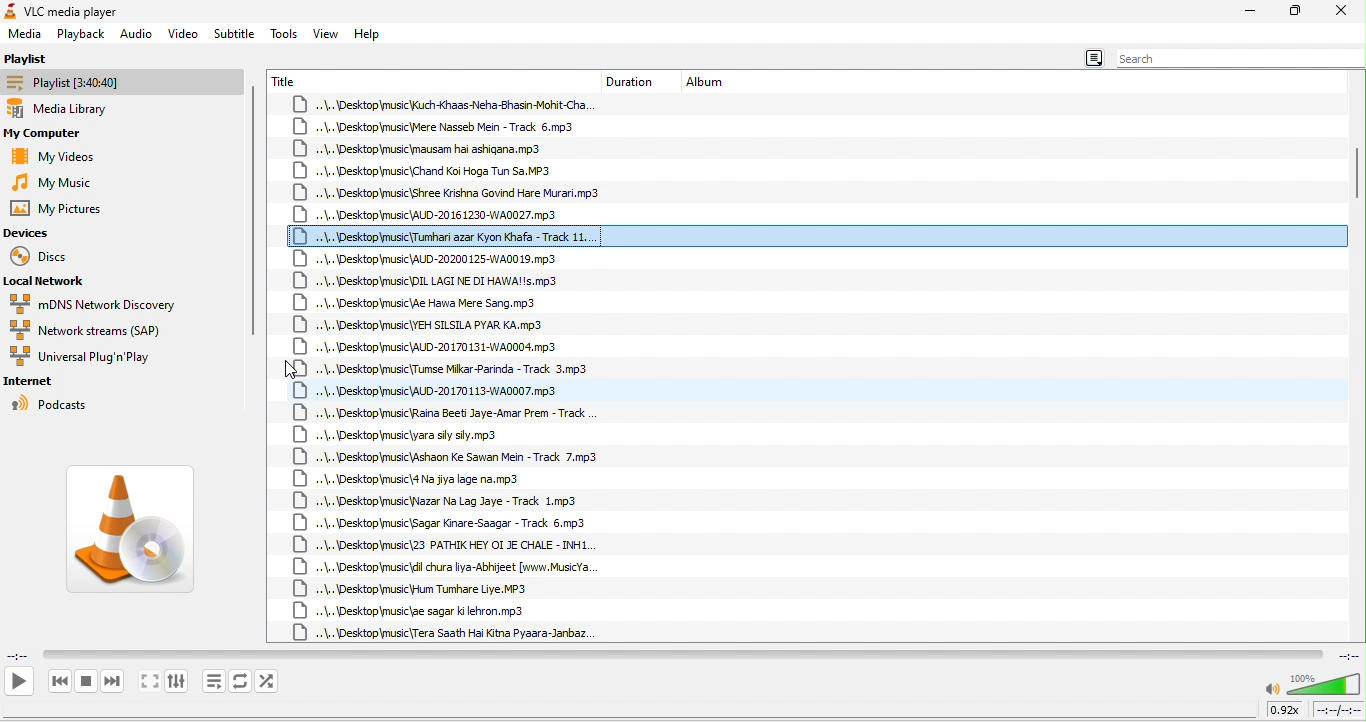 Image resolution: width=1366 pixels, height=722 pixels. Describe the element at coordinates (443, 413) in the screenshot. I see `..\.\Desktop\music\Raina Beet Jaye-Amar Prem - Track` at that location.